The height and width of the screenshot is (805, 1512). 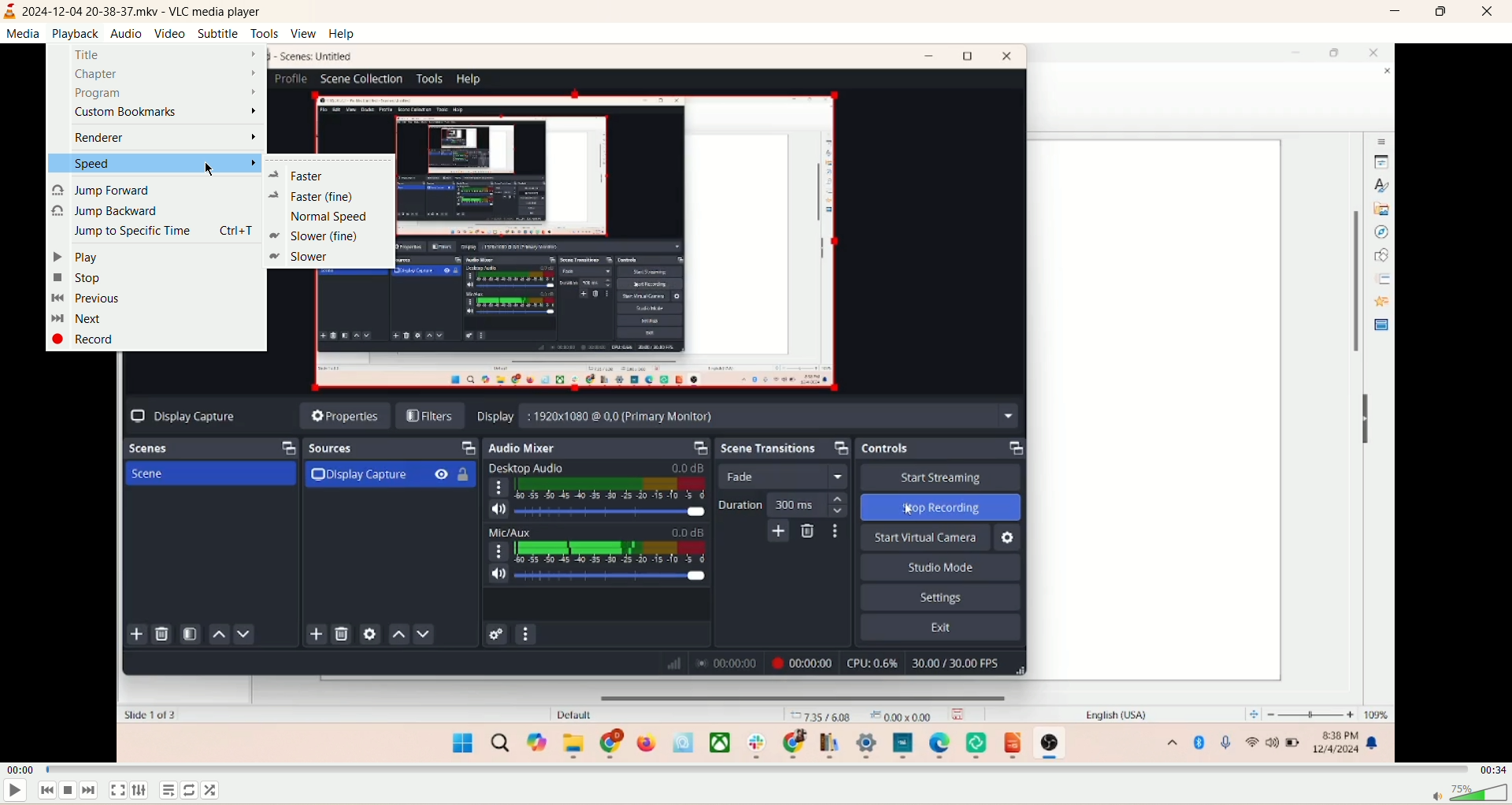 What do you see at coordinates (45, 792) in the screenshot?
I see `previous` at bounding box center [45, 792].